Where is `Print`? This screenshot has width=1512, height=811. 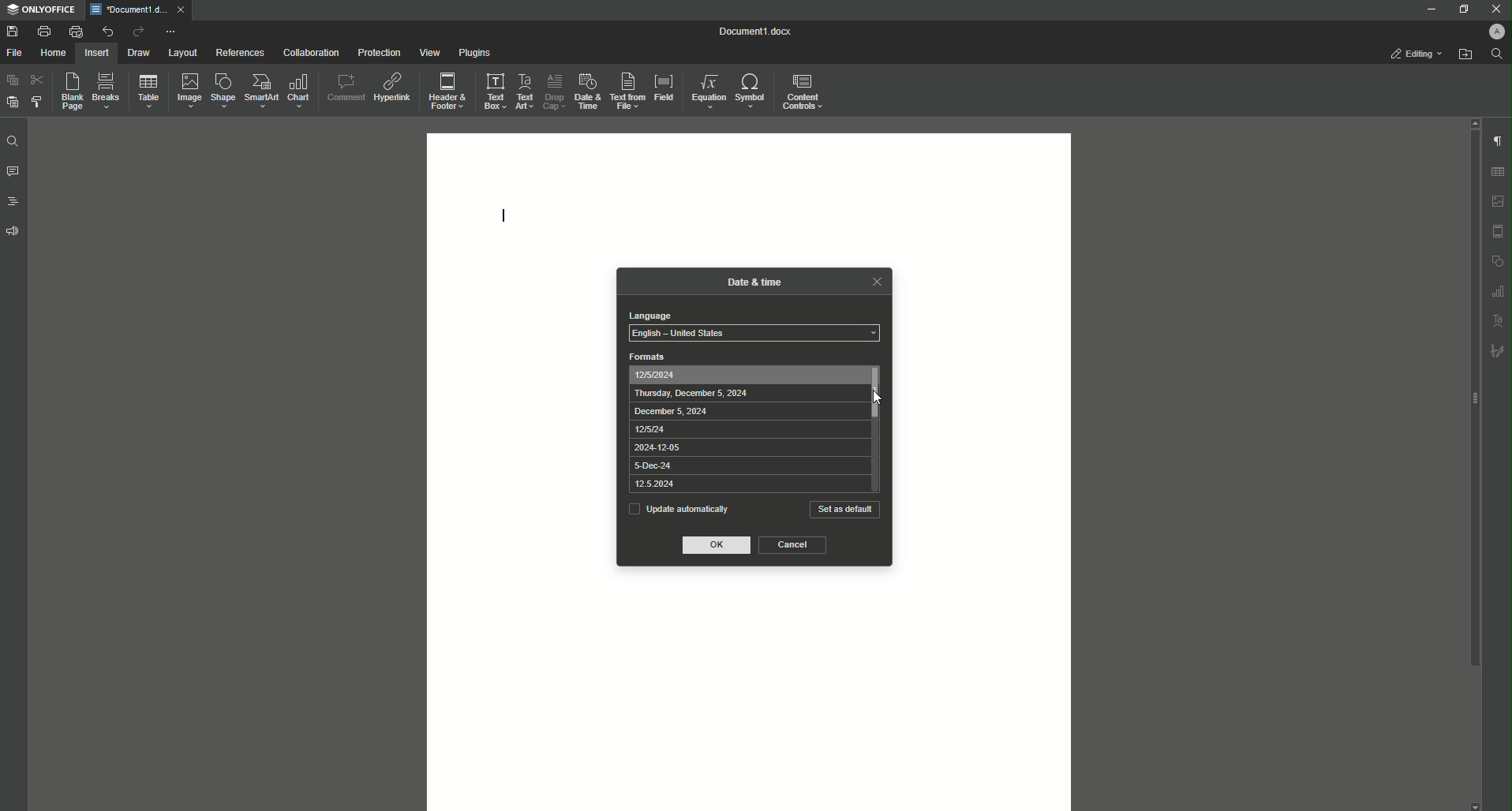 Print is located at coordinates (43, 31).